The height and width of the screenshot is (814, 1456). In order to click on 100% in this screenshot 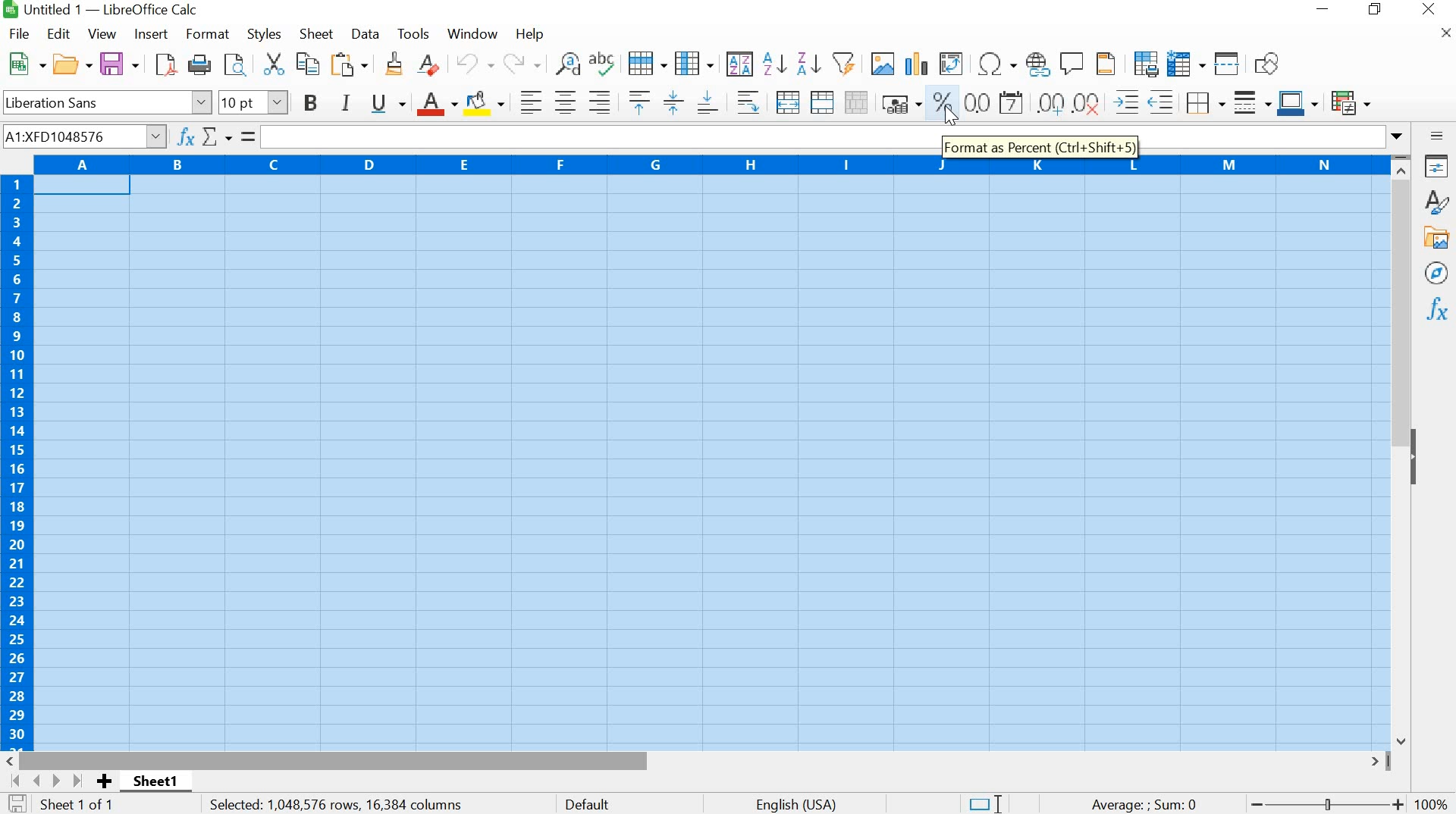, I will do `click(1429, 801)`.